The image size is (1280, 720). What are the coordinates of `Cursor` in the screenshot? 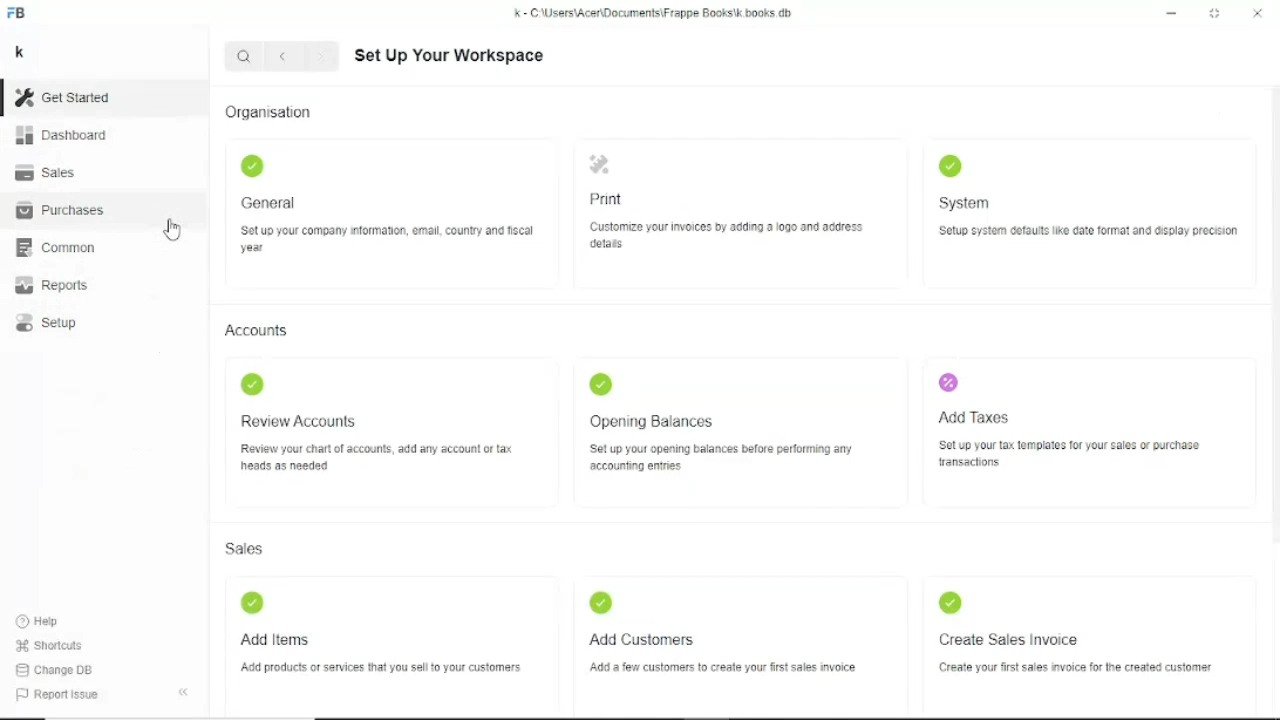 It's located at (173, 230).